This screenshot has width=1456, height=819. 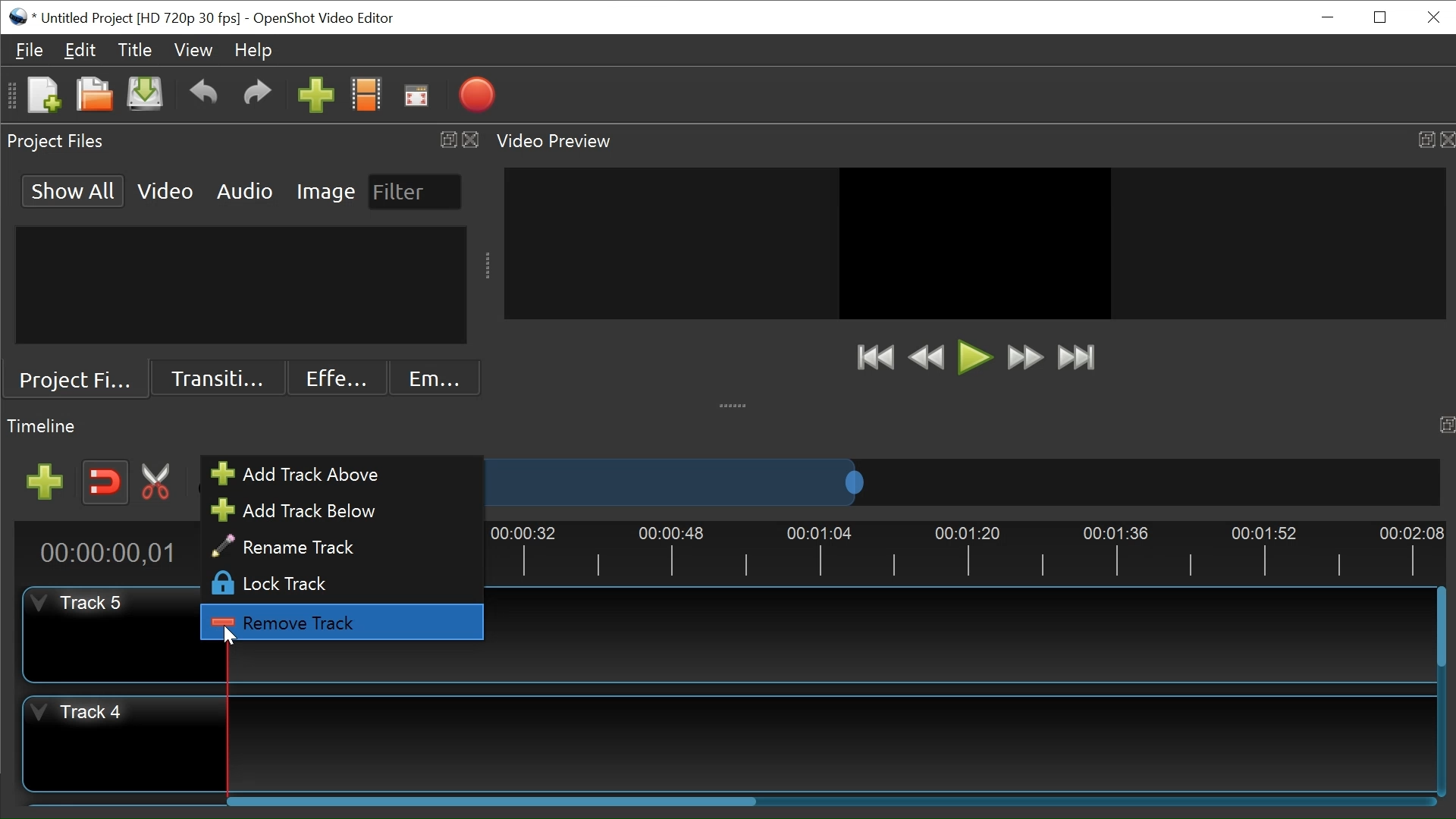 I want to click on Vertical Scroll bar, so click(x=1439, y=626).